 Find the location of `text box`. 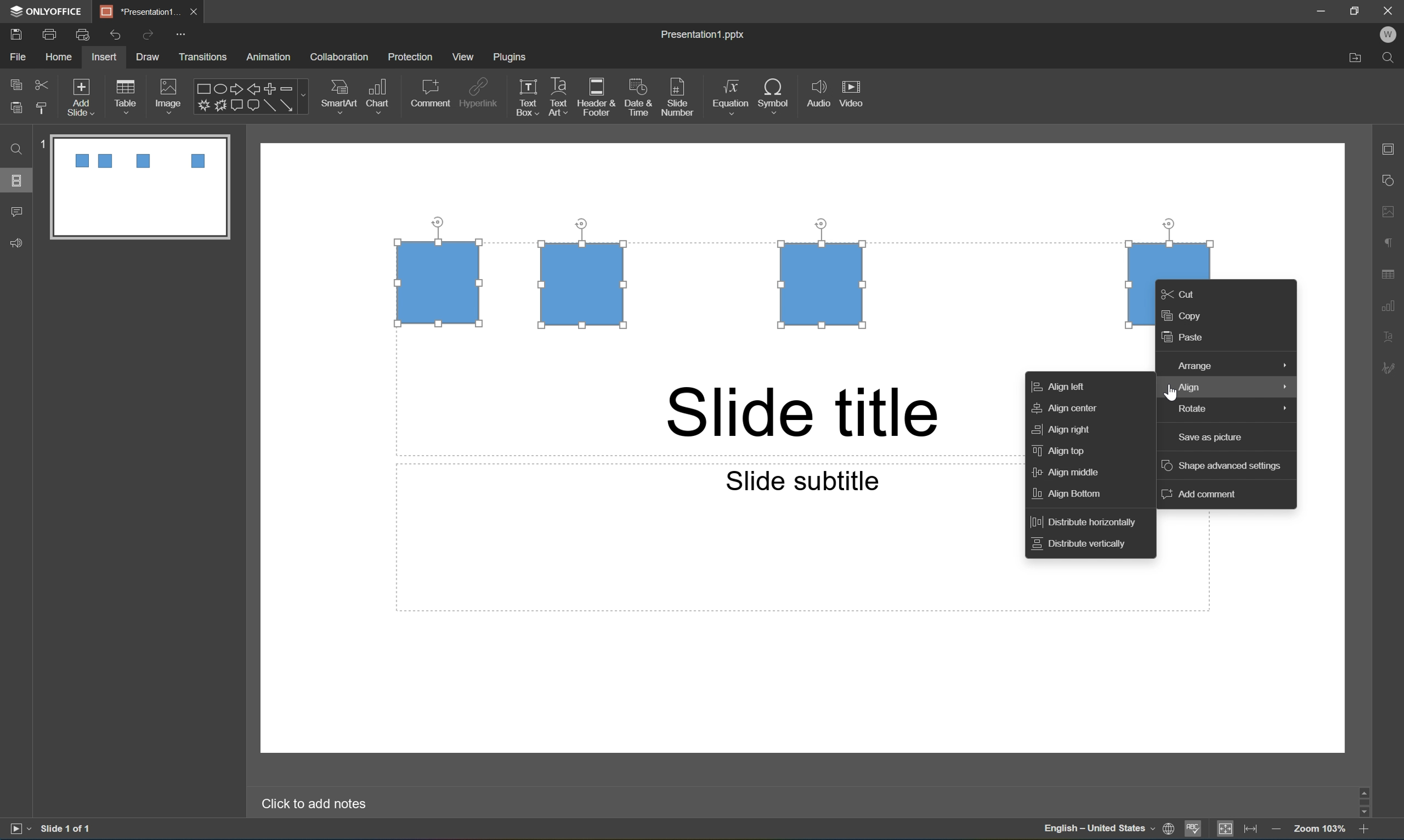

text box is located at coordinates (524, 98).